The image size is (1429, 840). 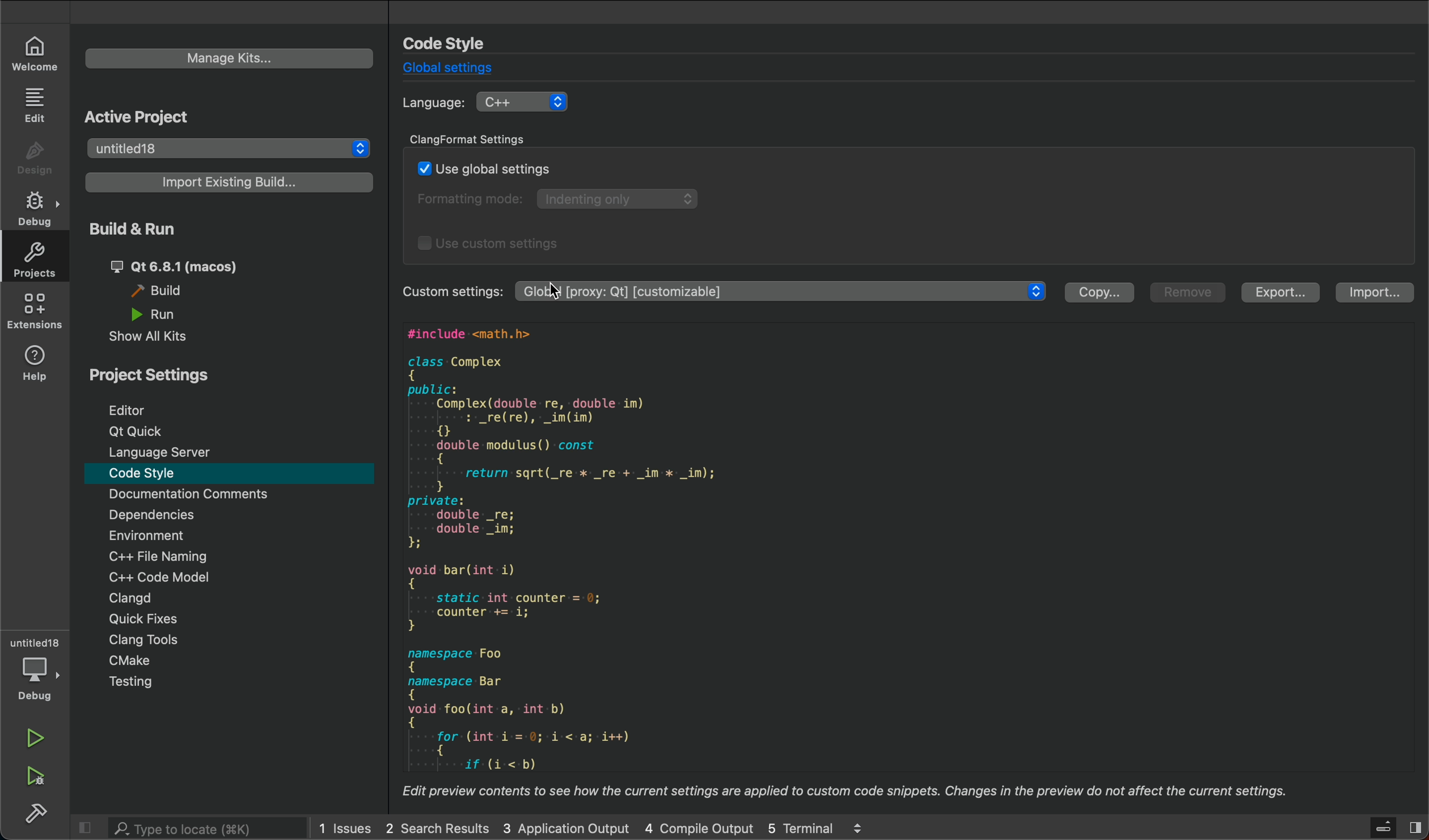 What do you see at coordinates (552, 291) in the screenshot?
I see `cursor` at bounding box center [552, 291].